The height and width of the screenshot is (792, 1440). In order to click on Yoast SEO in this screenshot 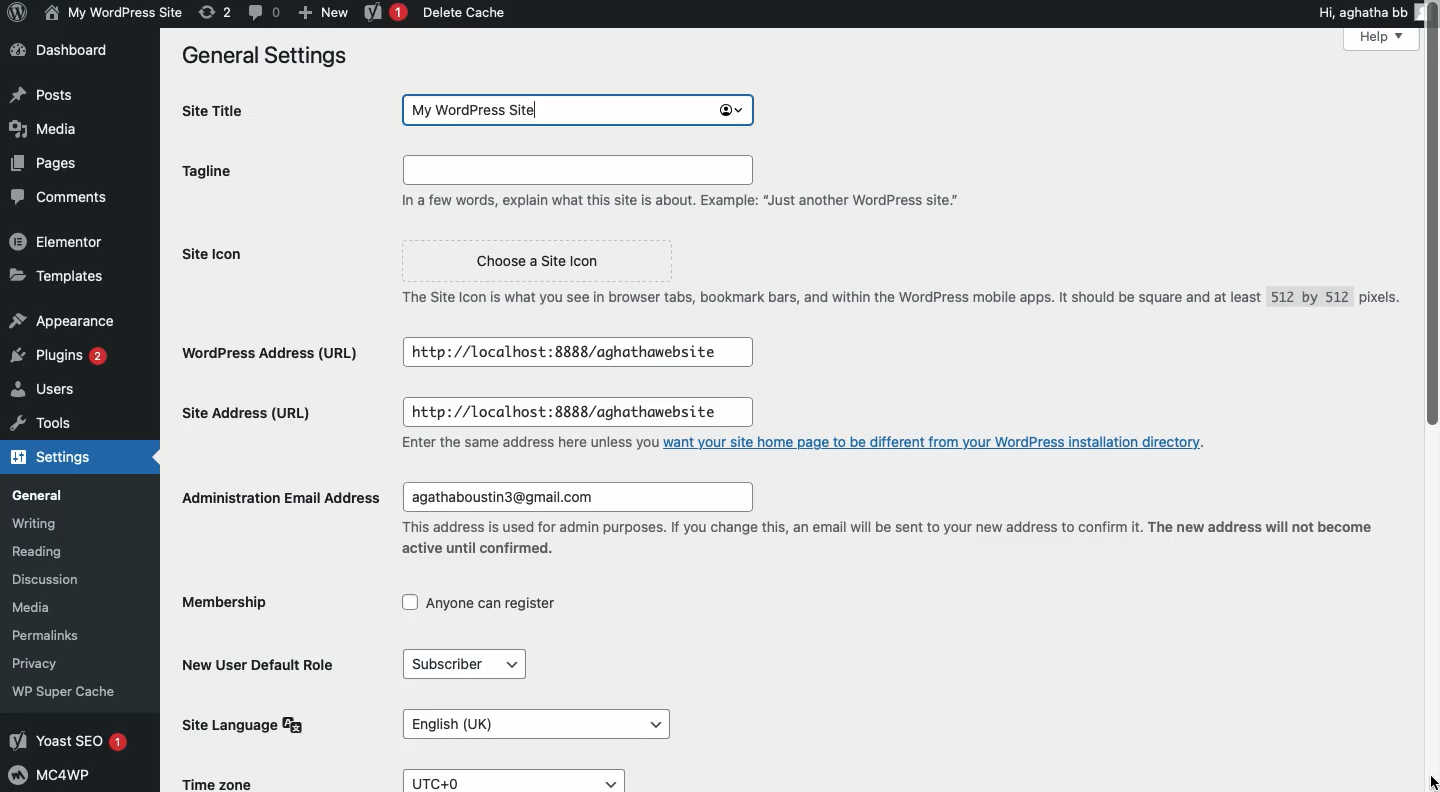, I will do `click(71, 740)`.